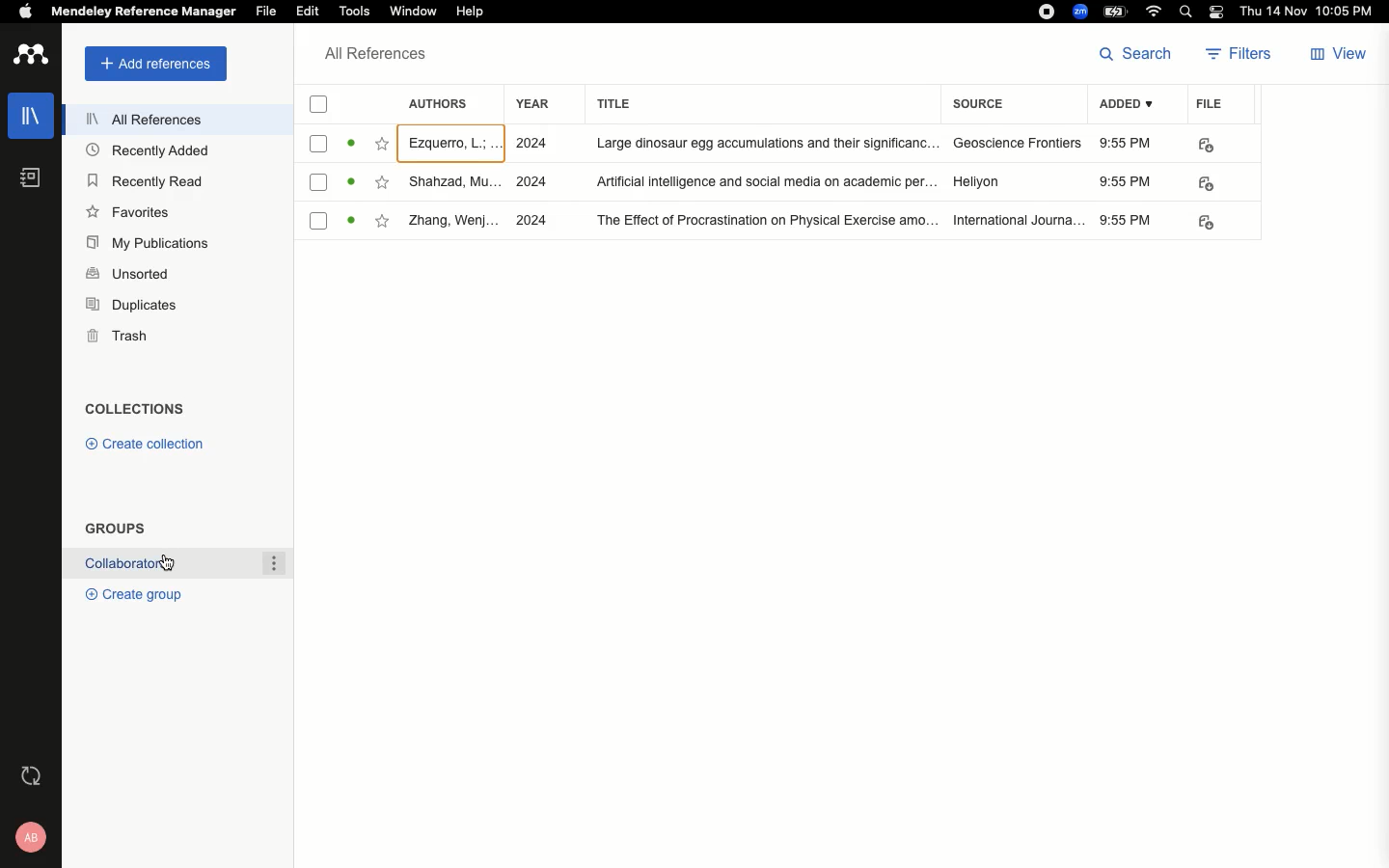 The width and height of the screenshot is (1389, 868). I want to click on Authors, so click(451, 106).